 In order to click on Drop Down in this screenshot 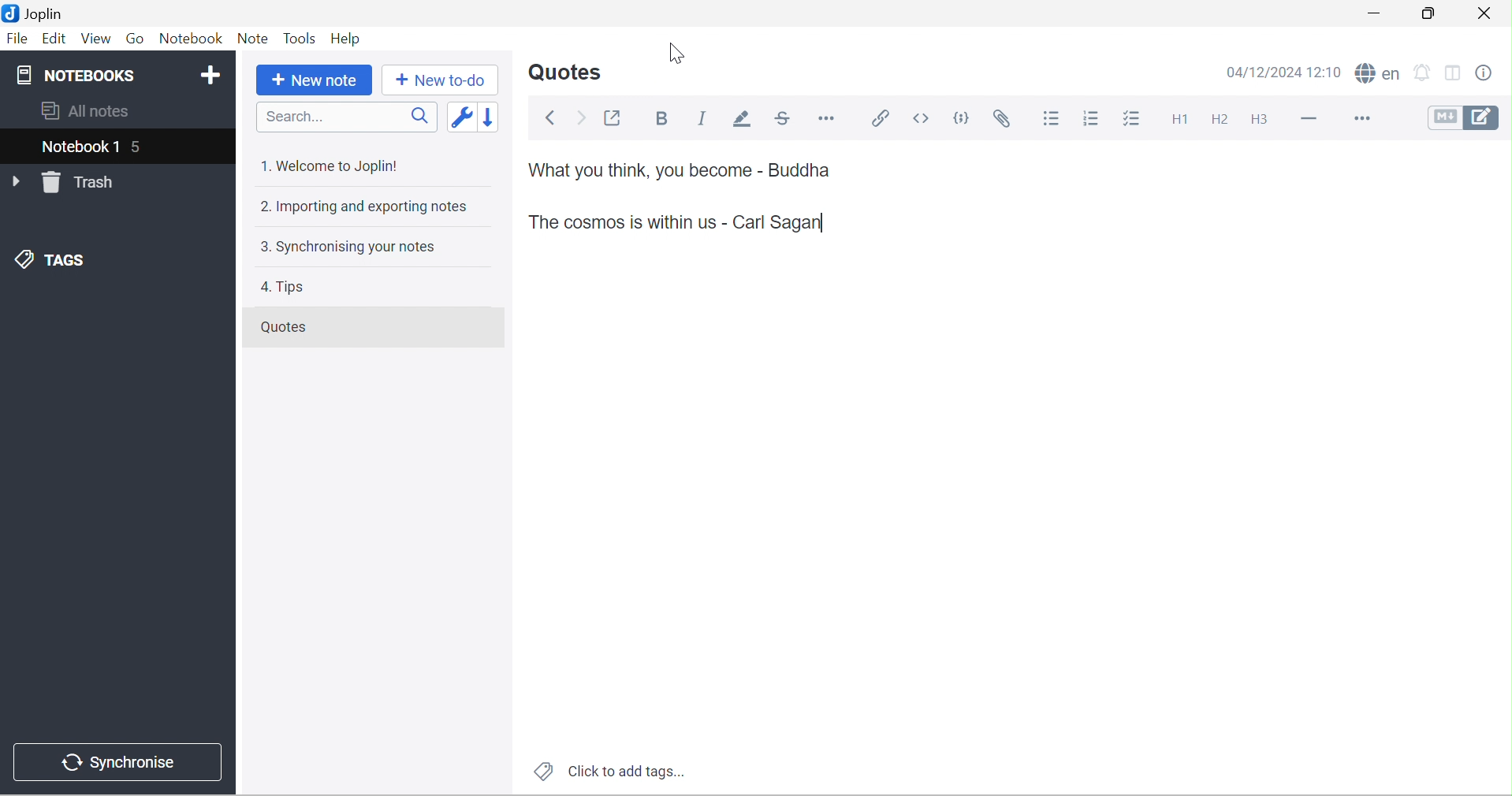, I will do `click(17, 182)`.